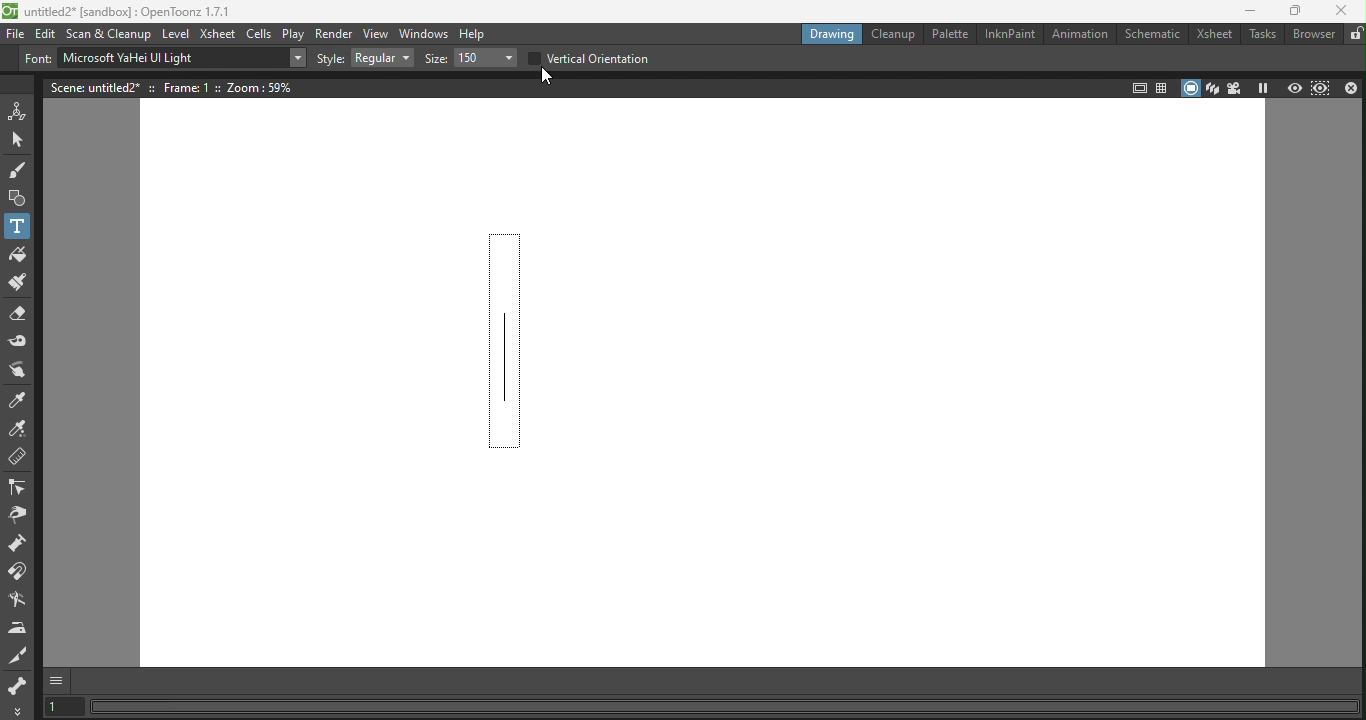 The height and width of the screenshot is (720, 1366). I want to click on Finger tool, so click(21, 369).